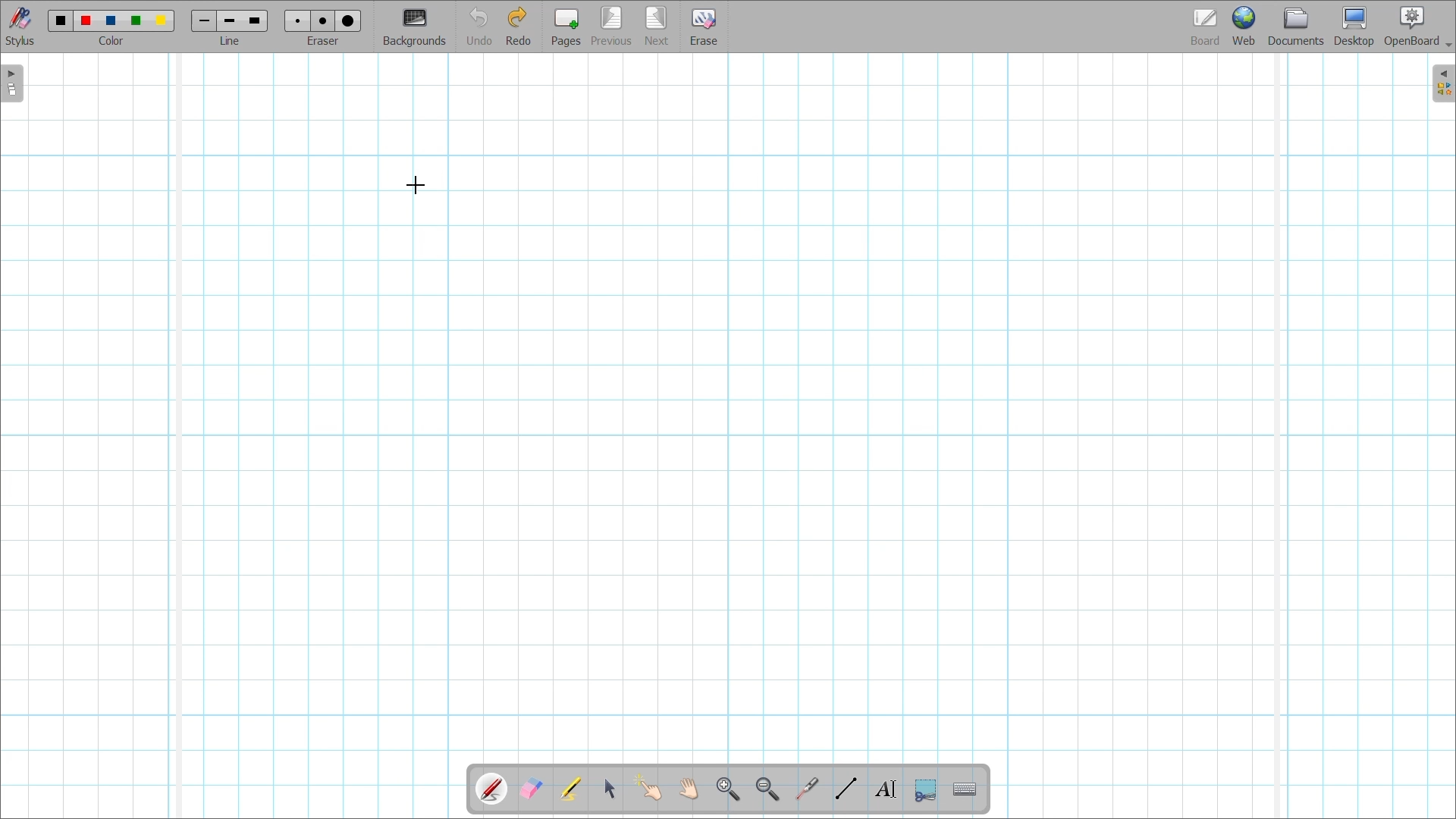  I want to click on Expand right sidebar, so click(1443, 83).